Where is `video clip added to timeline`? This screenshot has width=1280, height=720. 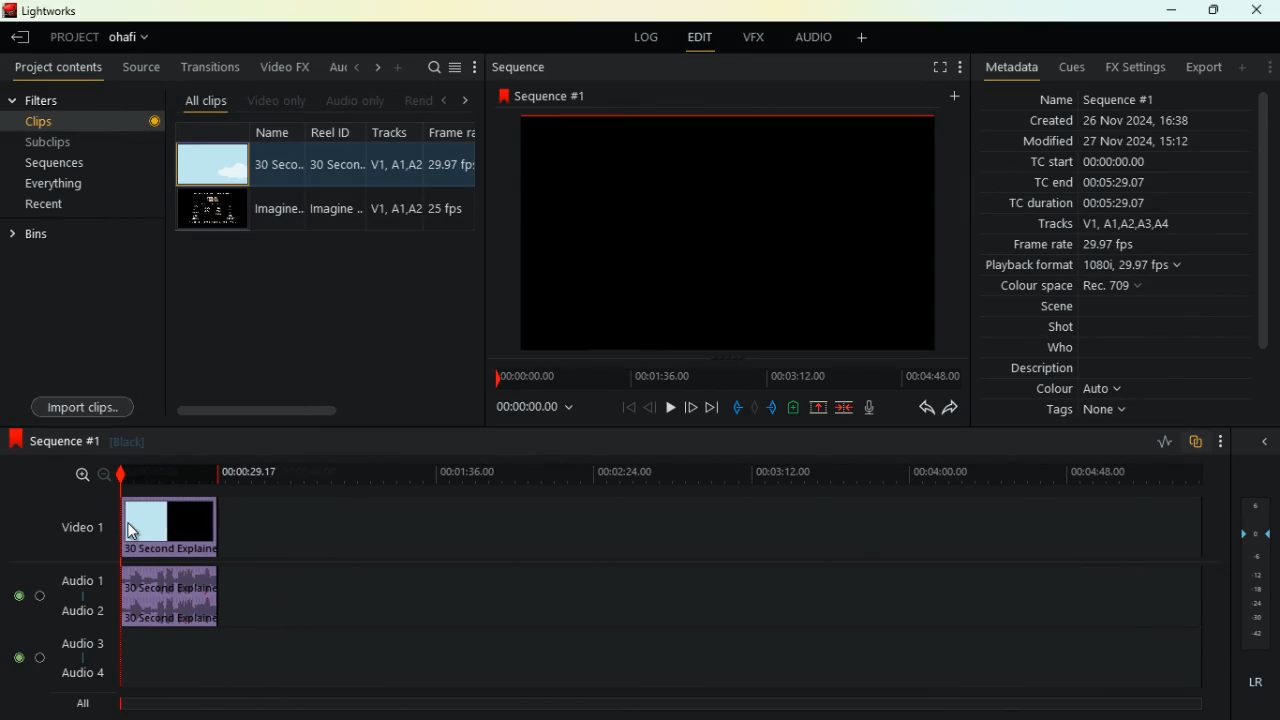
video clip added to timeline is located at coordinates (171, 526).